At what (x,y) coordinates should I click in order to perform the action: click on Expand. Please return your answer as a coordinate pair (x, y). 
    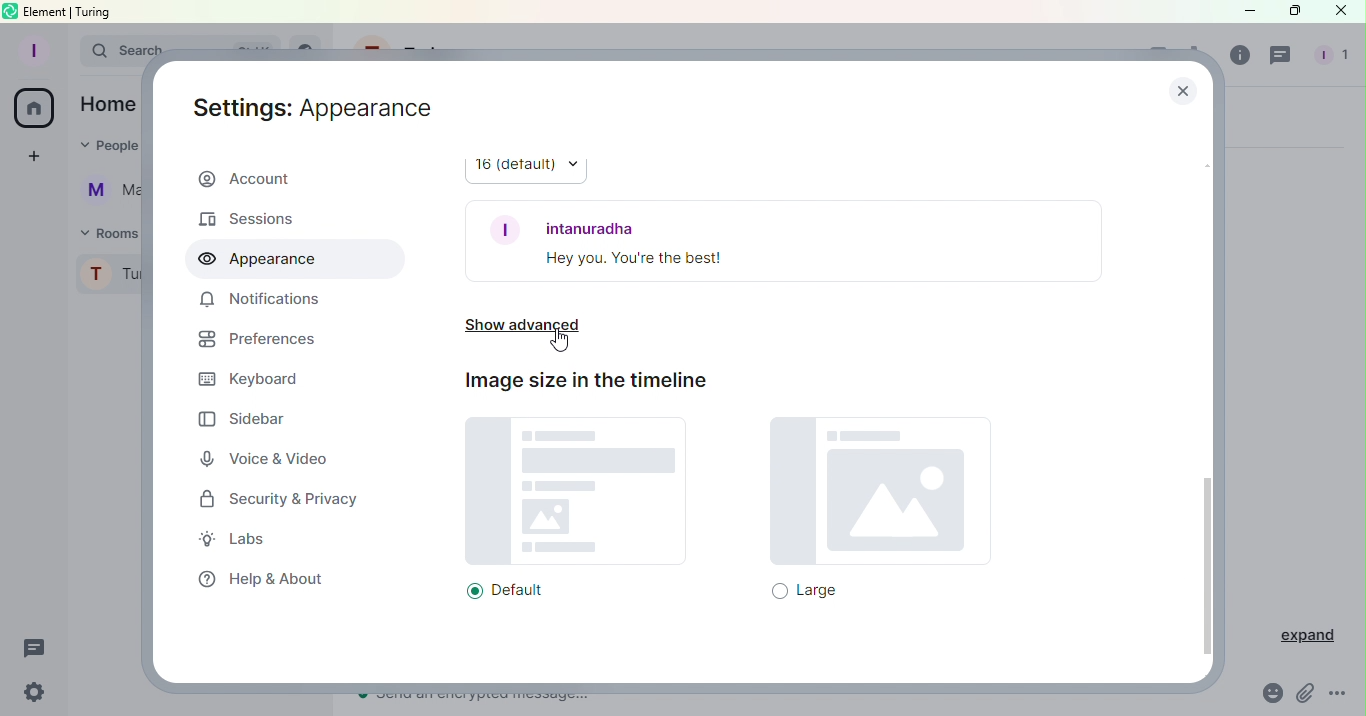
    Looking at the image, I should click on (1308, 637).